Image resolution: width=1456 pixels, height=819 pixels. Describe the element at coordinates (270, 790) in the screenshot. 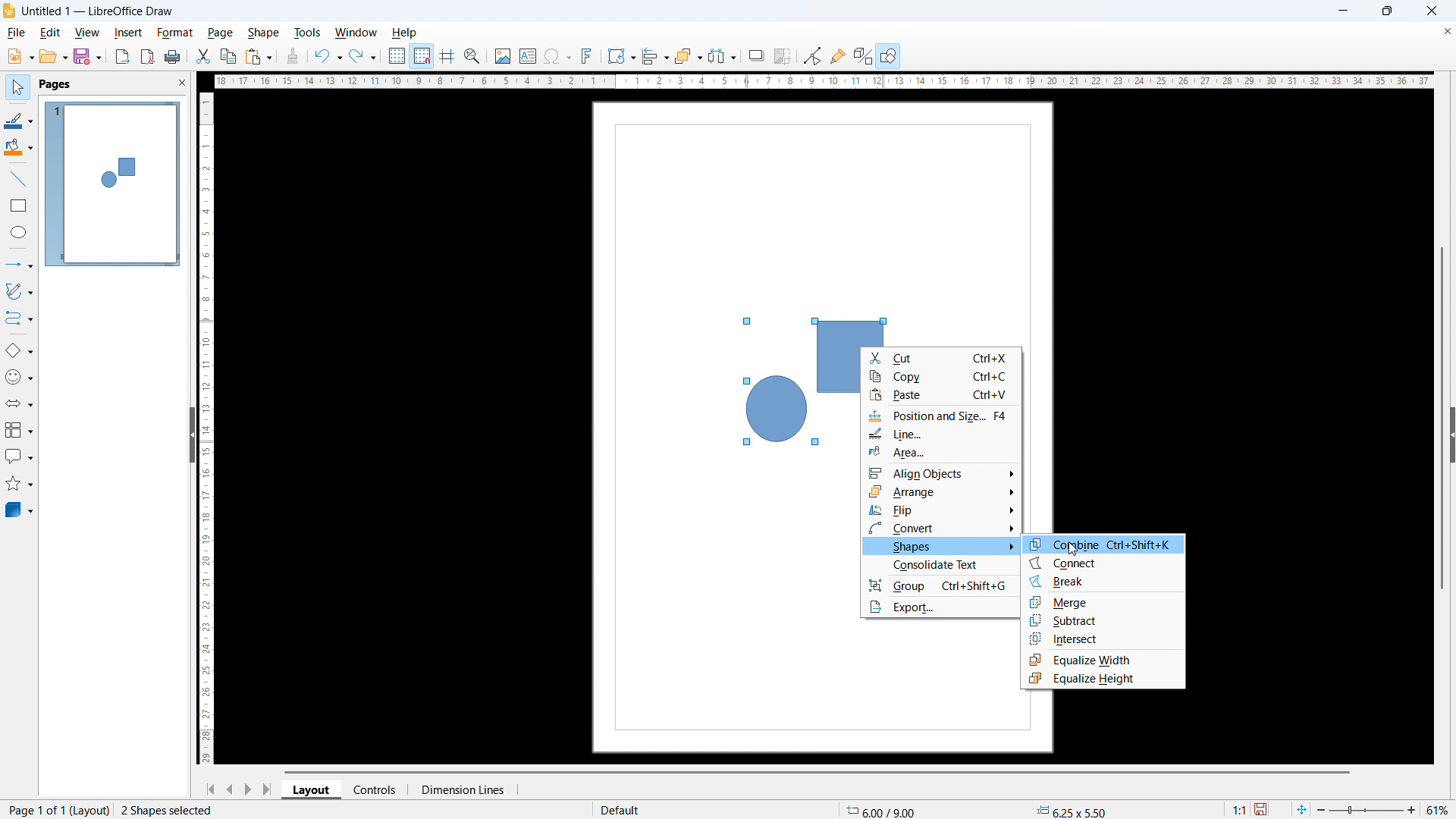

I see `go to last page` at that location.